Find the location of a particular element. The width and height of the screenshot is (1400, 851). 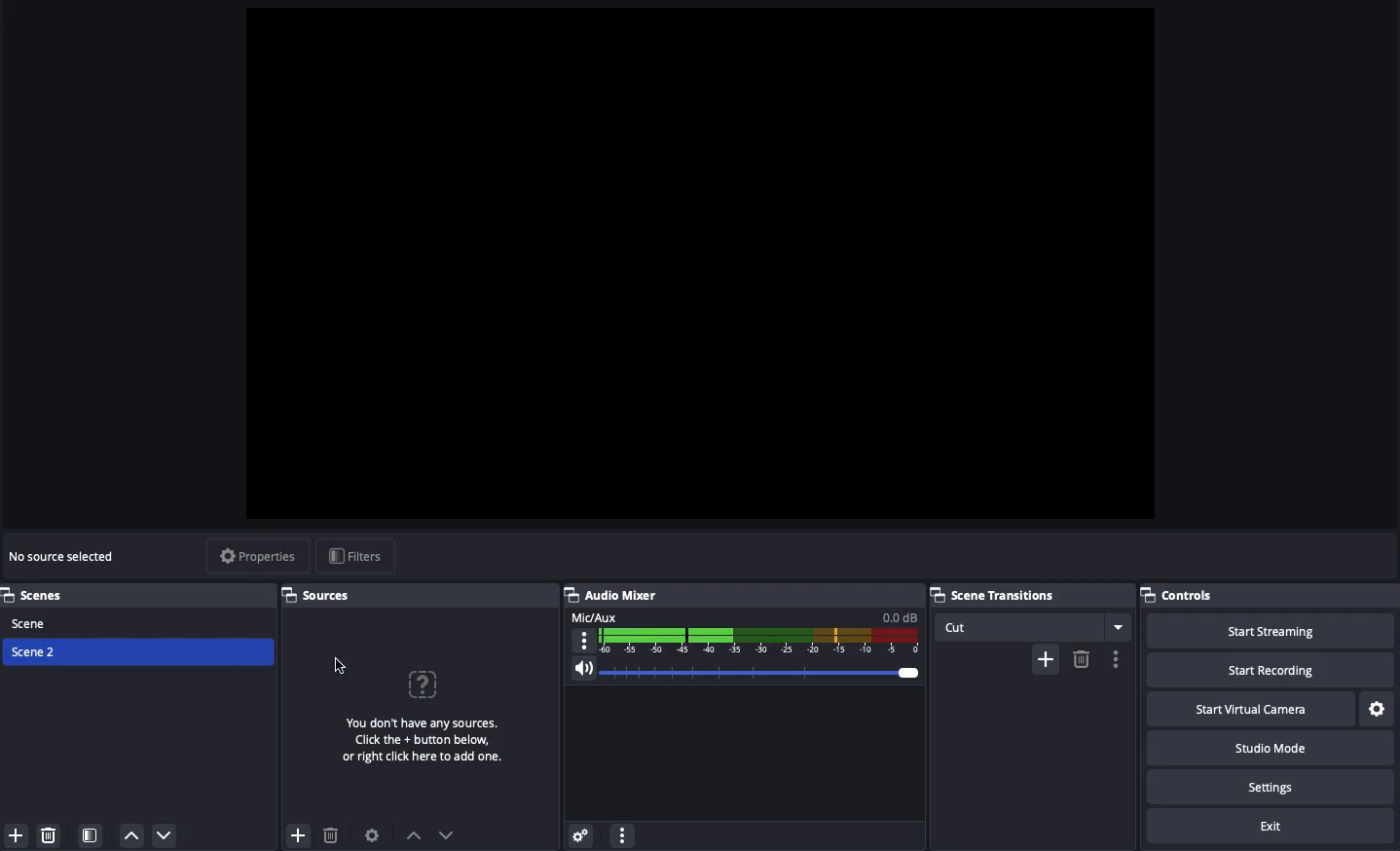

display is located at coordinates (425, 555).